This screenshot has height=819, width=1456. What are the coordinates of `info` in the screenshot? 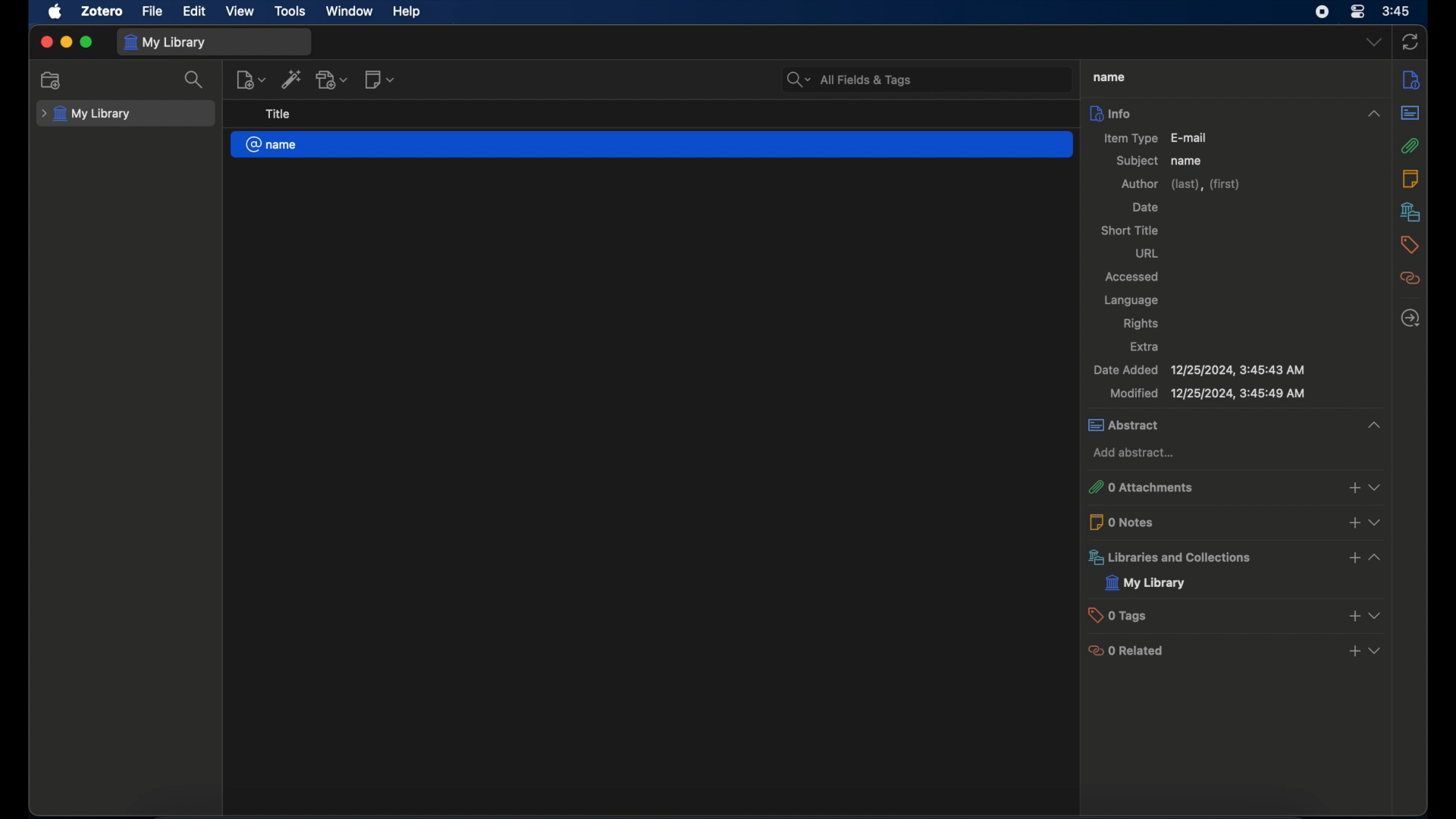 It's located at (1234, 112).